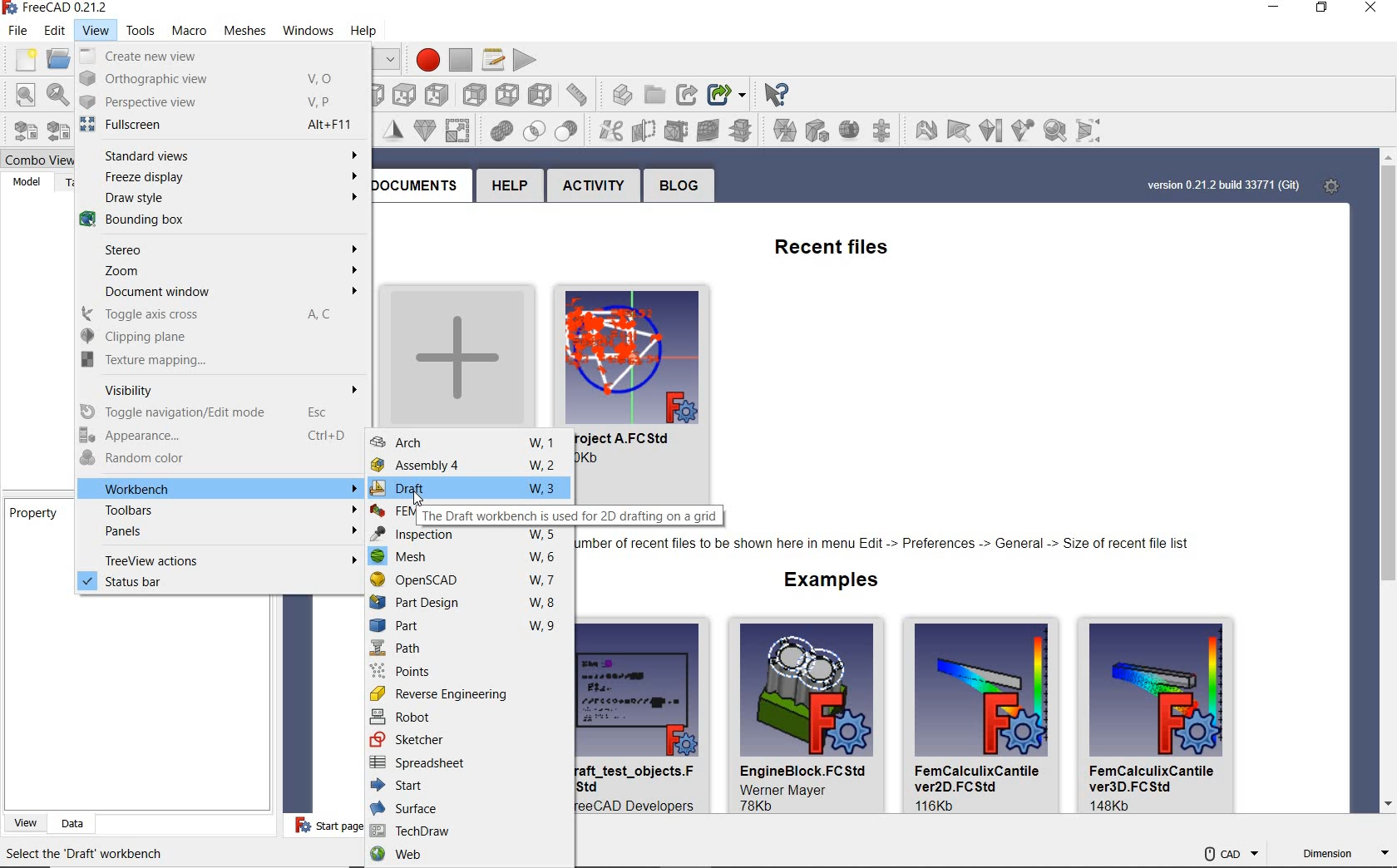  Describe the element at coordinates (476, 93) in the screenshot. I see `bottom` at that location.